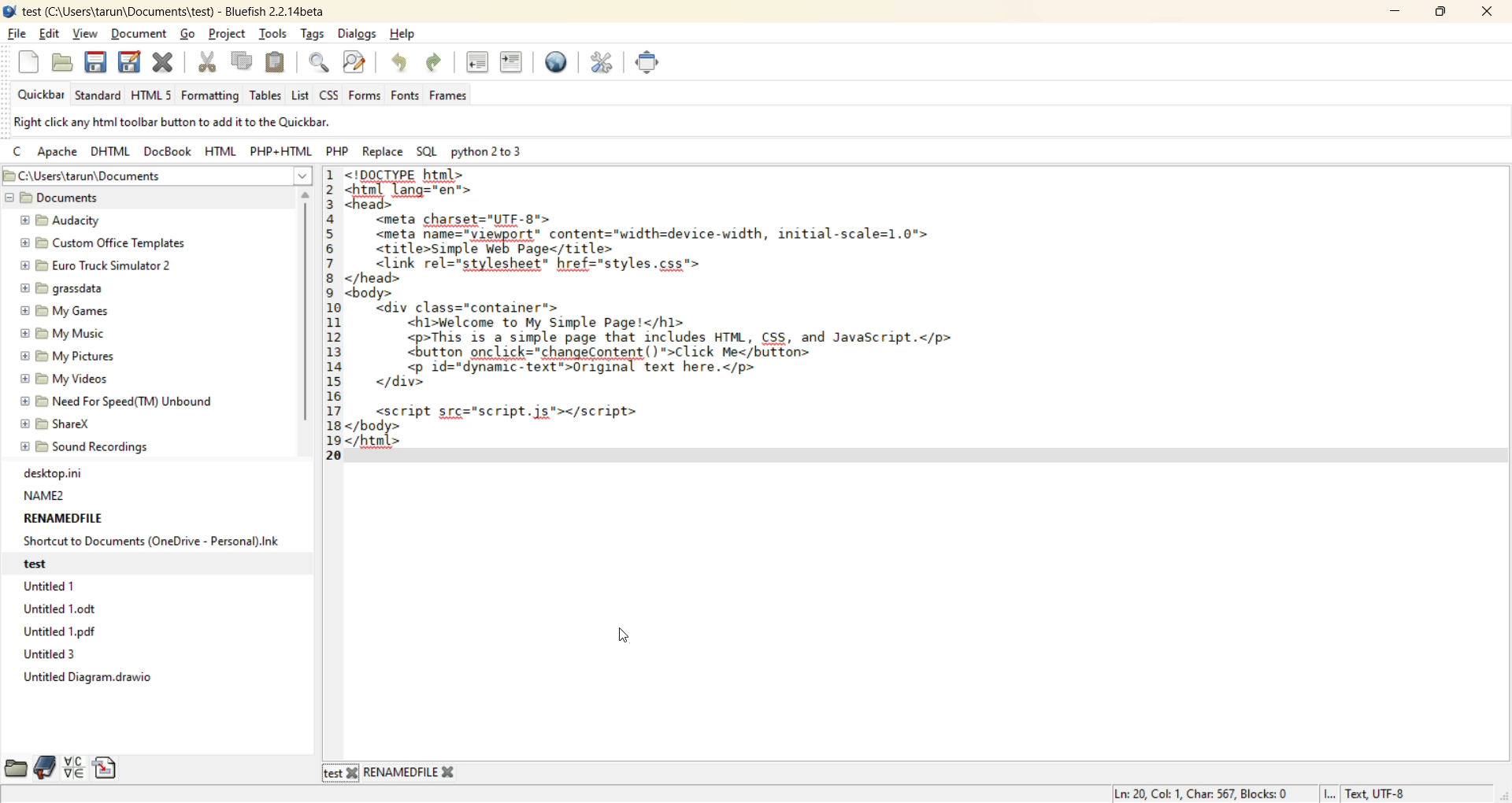 This screenshot has width=1512, height=803. I want to click on tools, so click(272, 35).